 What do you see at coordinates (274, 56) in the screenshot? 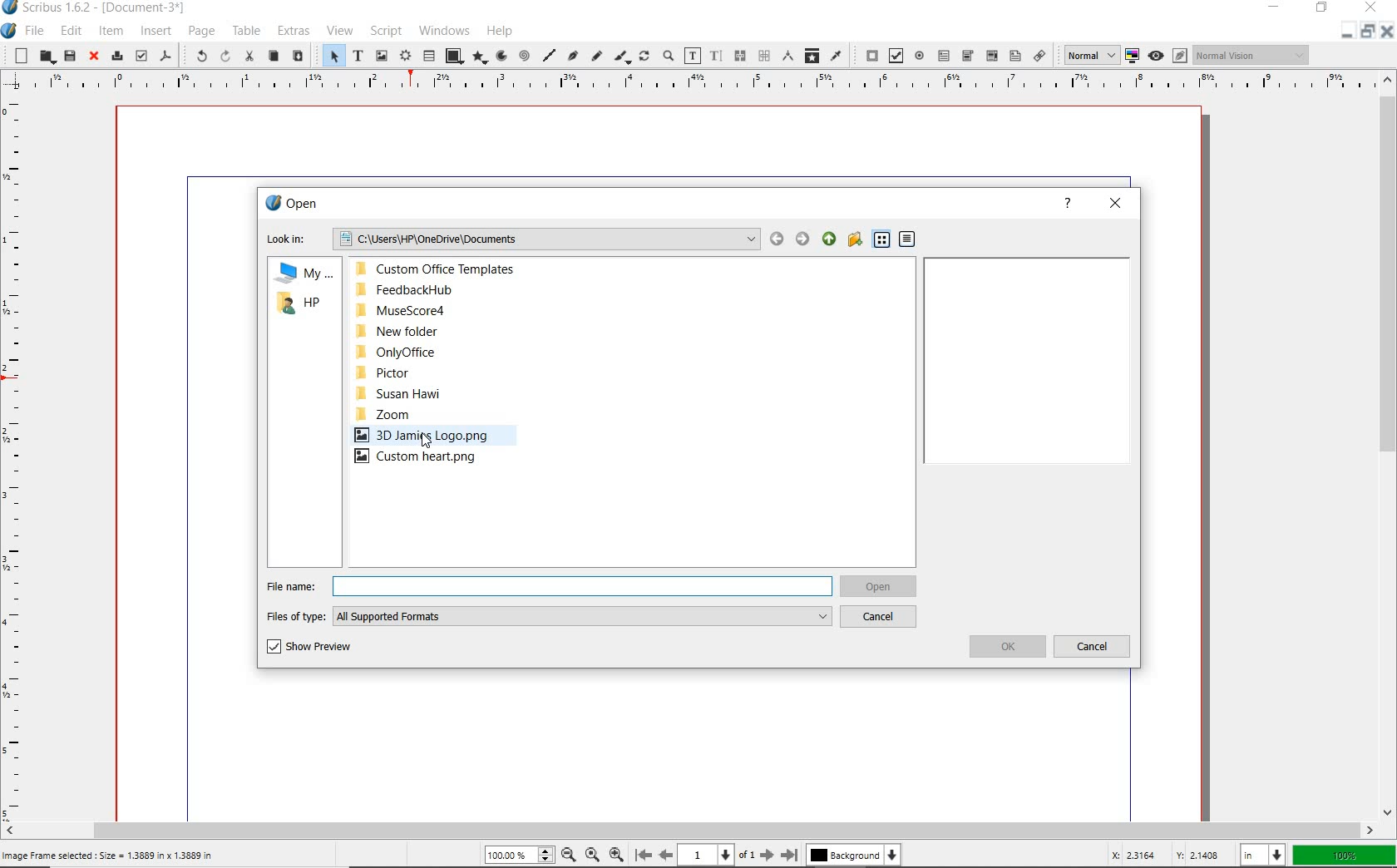
I see `copy` at bounding box center [274, 56].